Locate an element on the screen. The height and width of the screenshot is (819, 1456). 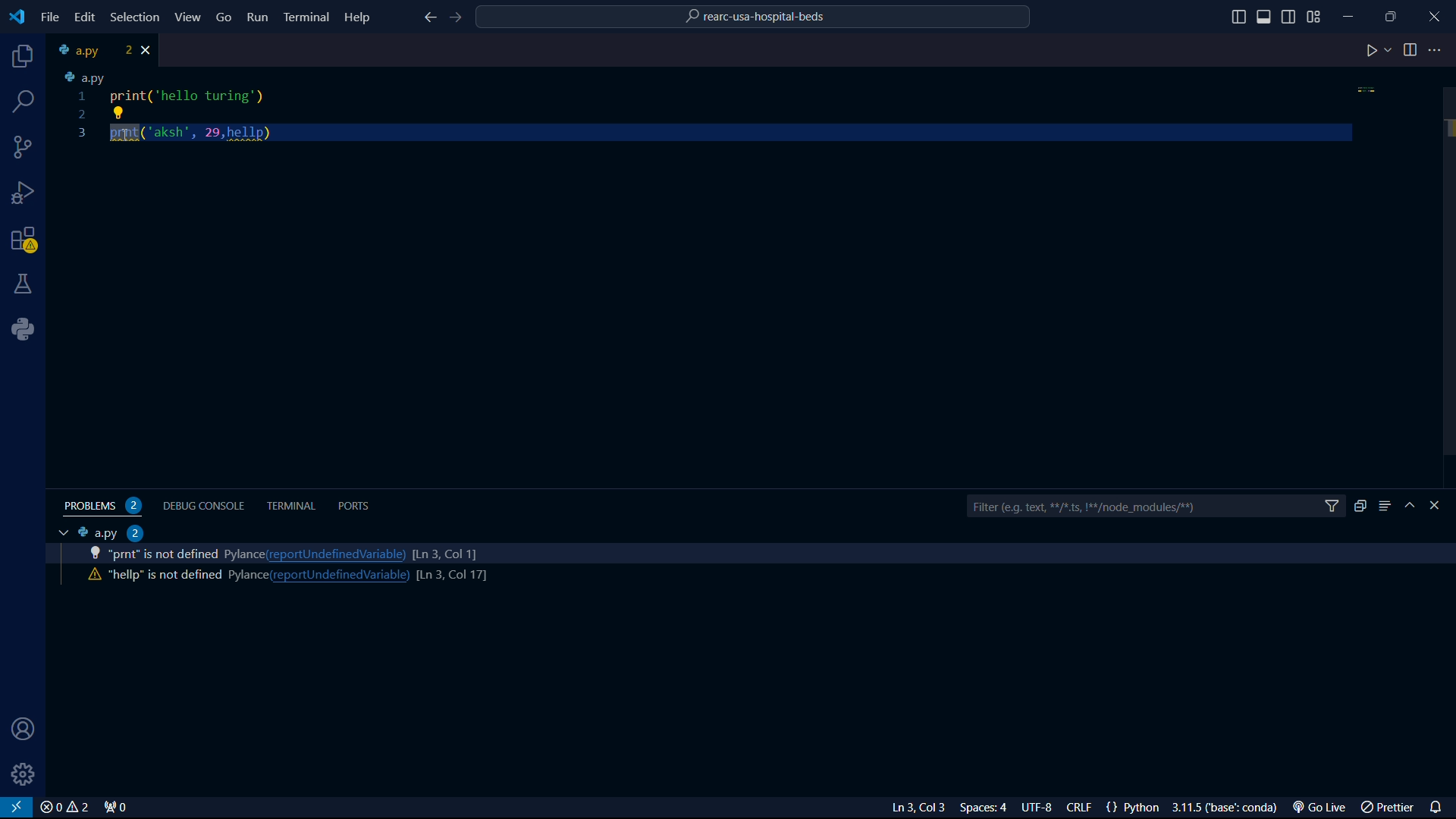
close bar is located at coordinates (1442, 506).